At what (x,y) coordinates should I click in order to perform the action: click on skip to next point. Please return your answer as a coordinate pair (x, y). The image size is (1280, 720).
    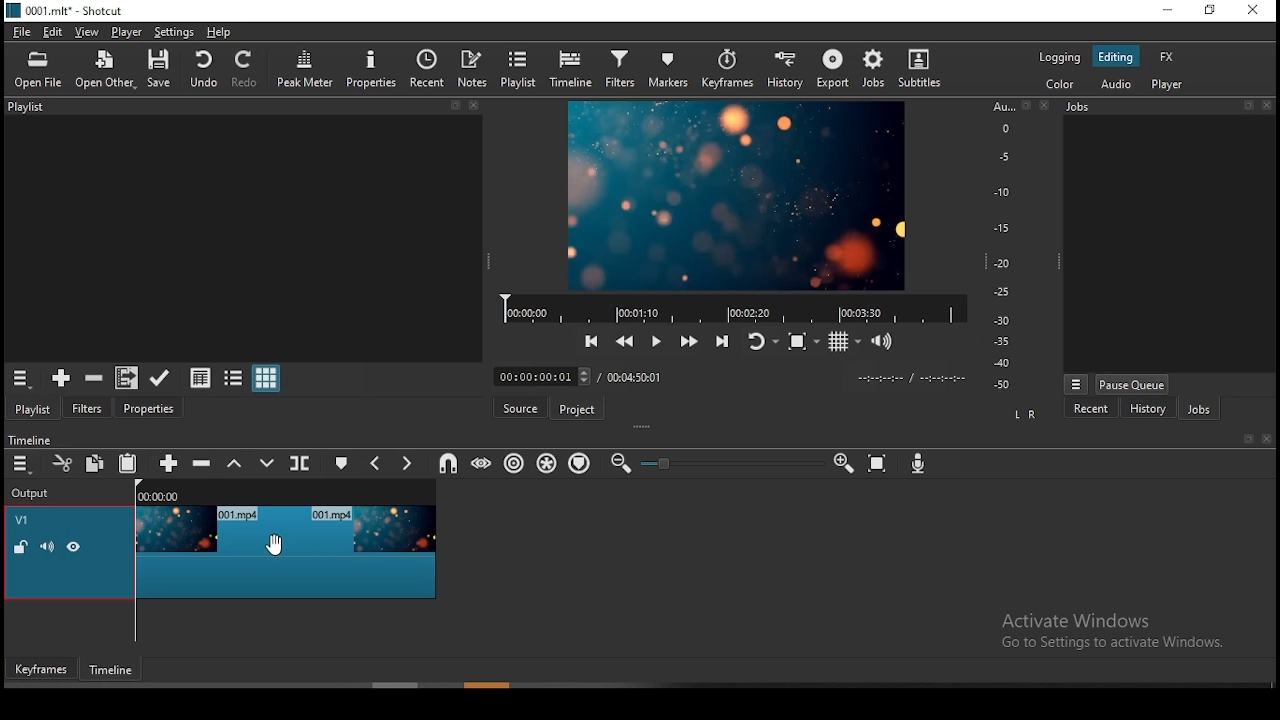
    Looking at the image, I should click on (723, 334).